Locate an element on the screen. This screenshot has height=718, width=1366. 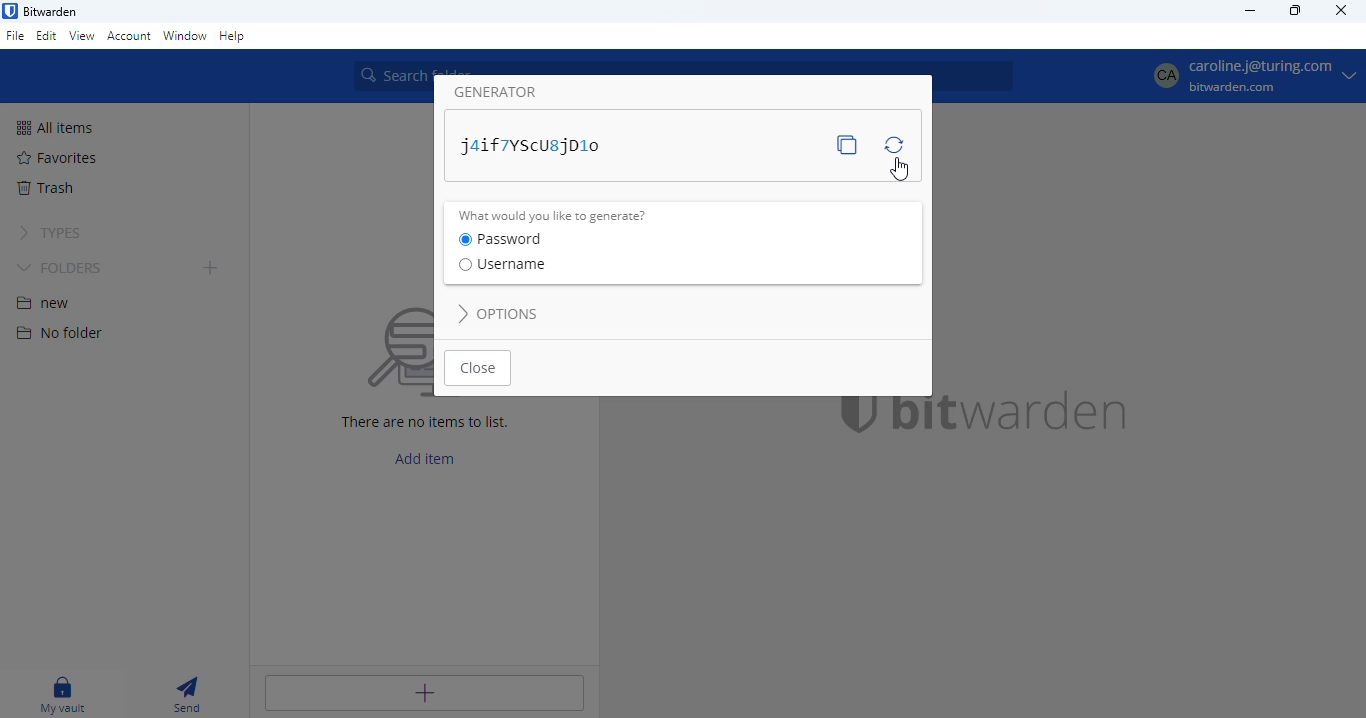
close is located at coordinates (479, 368).